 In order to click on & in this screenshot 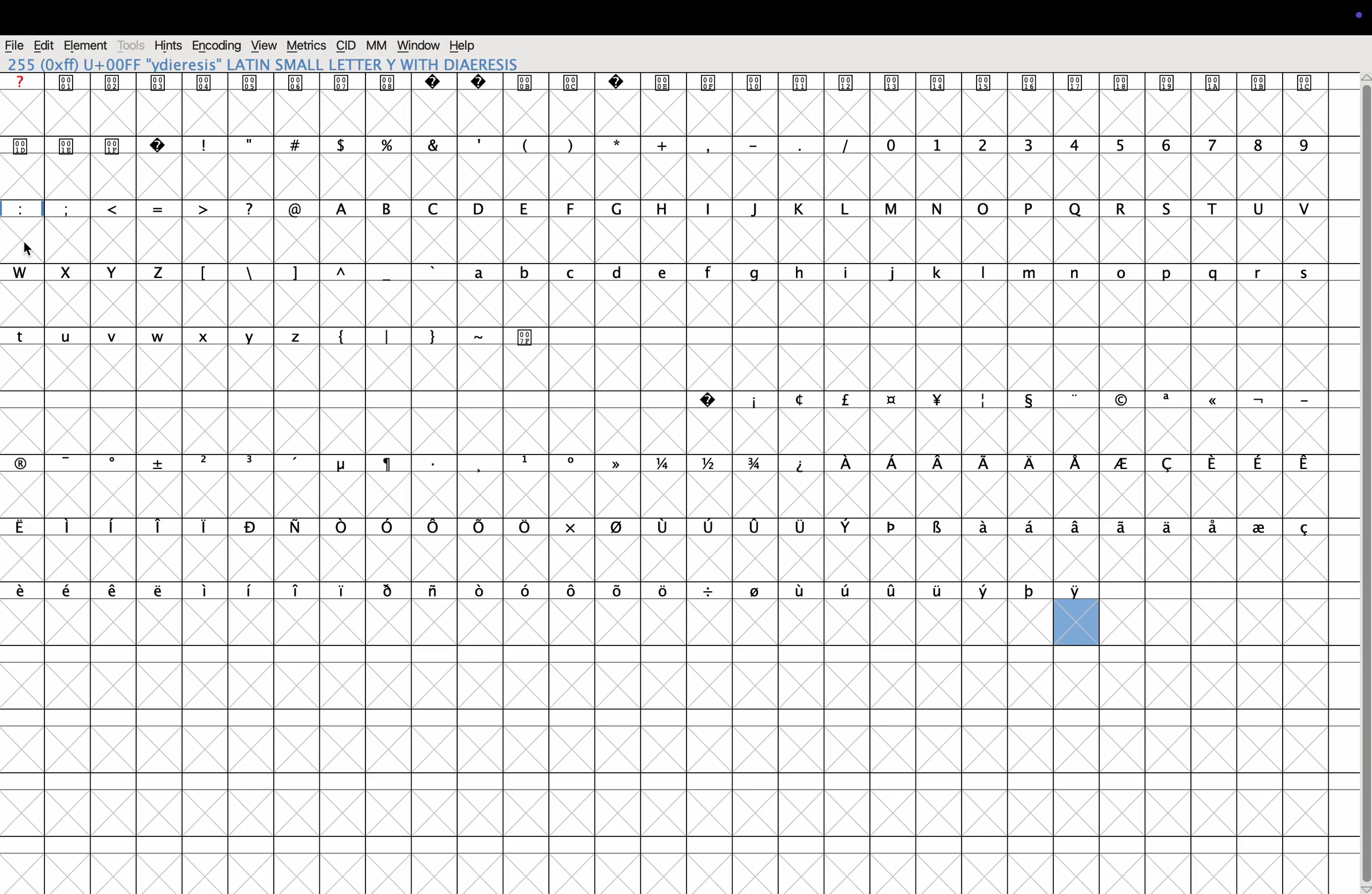, I will do `click(435, 167)`.